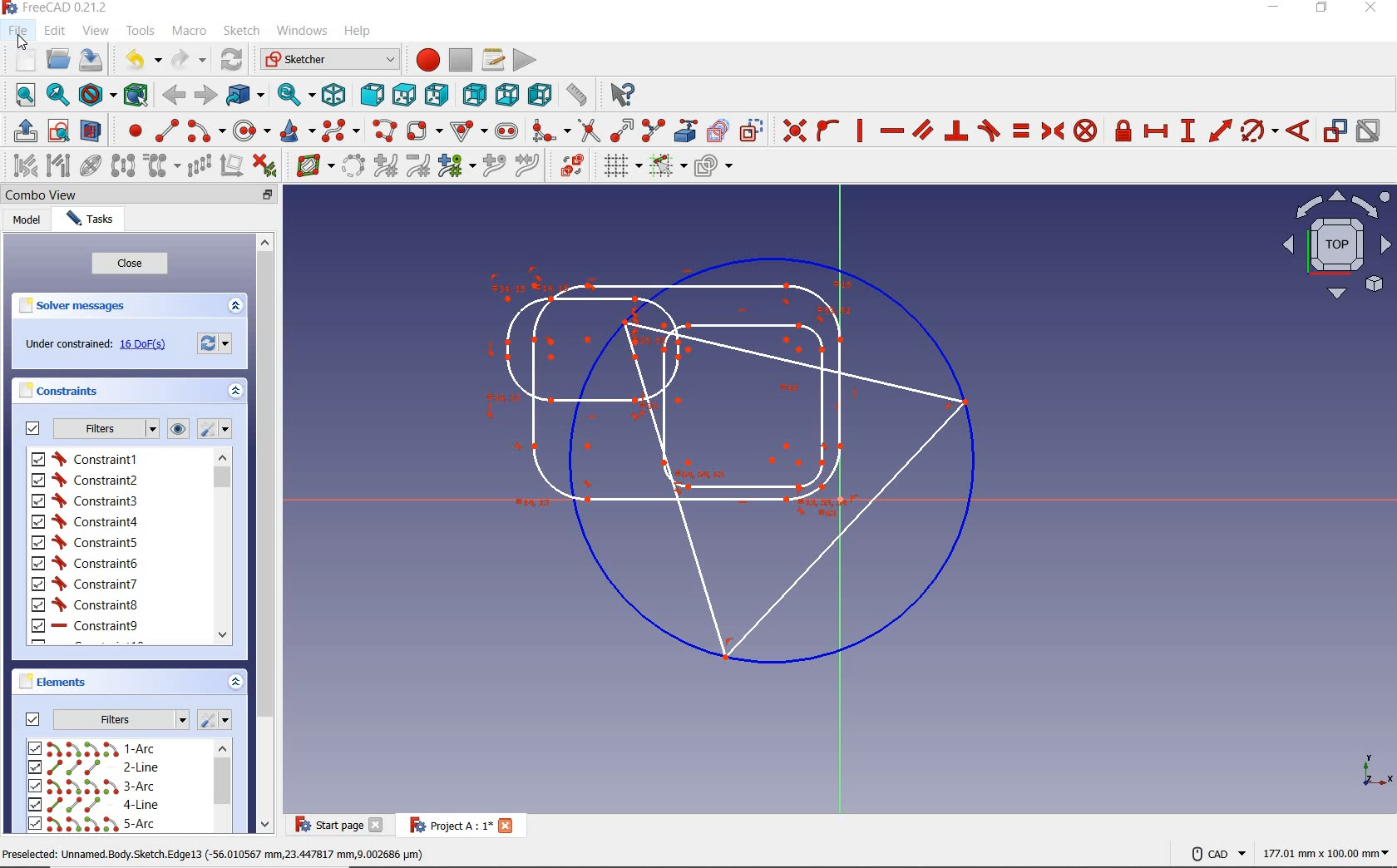 The image size is (1397, 868). What do you see at coordinates (614, 168) in the screenshot?
I see `toggle grid` at bounding box center [614, 168].